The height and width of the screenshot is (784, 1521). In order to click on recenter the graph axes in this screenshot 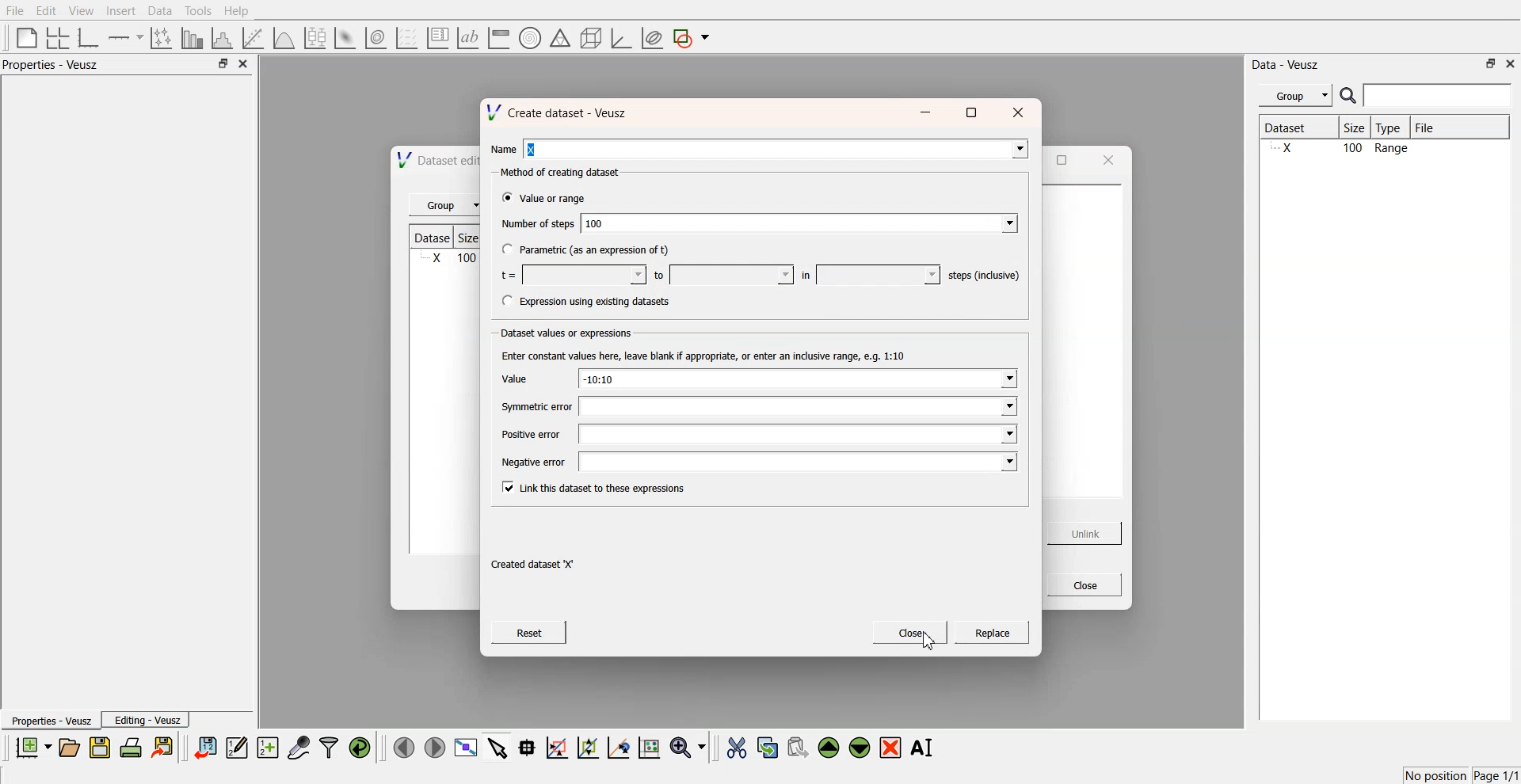, I will do `click(618, 747)`.